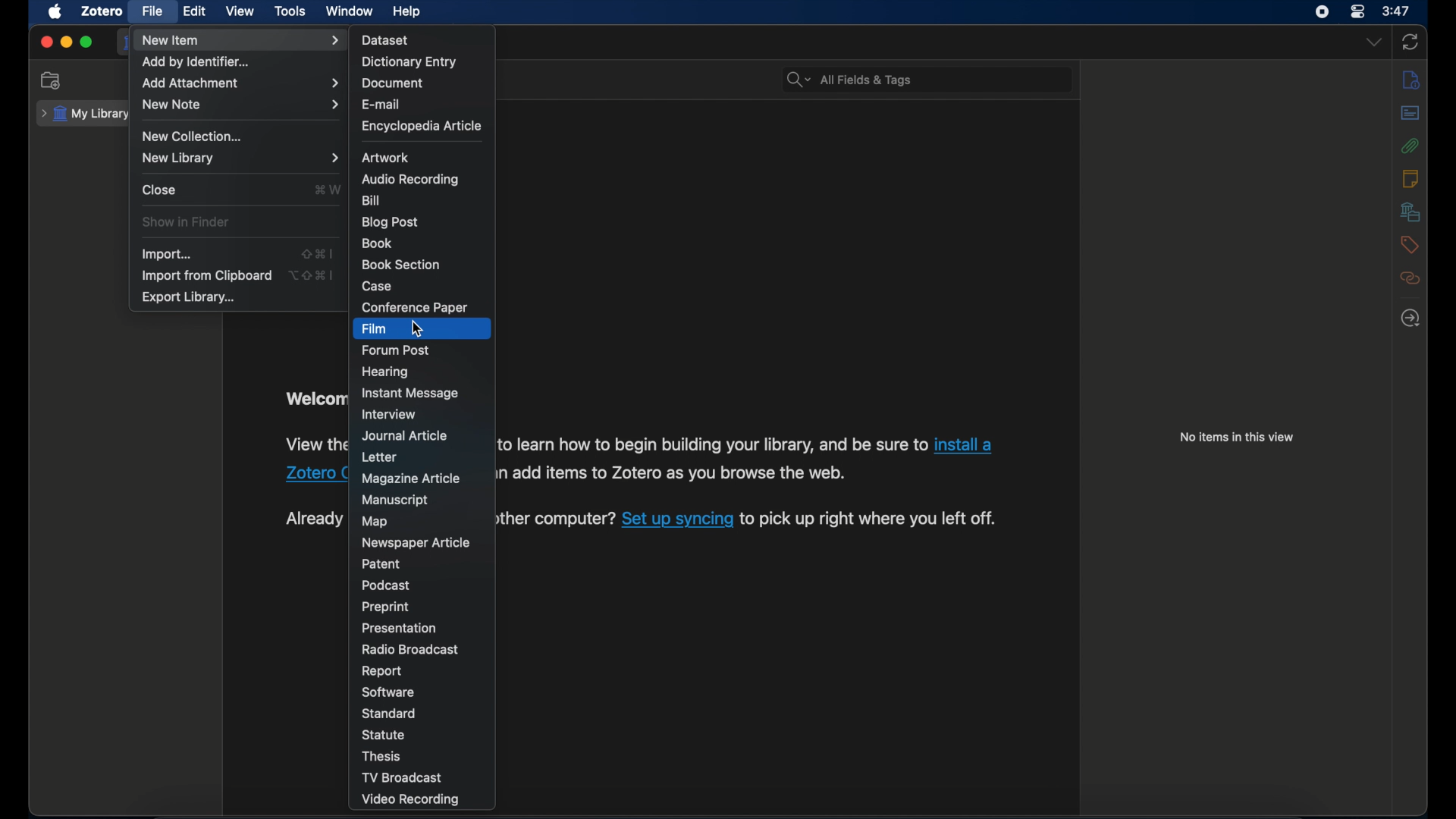 The height and width of the screenshot is (819, 1456). Describe the element at coordinates (190, 298) in the screenshot. I see `export library` at that location.